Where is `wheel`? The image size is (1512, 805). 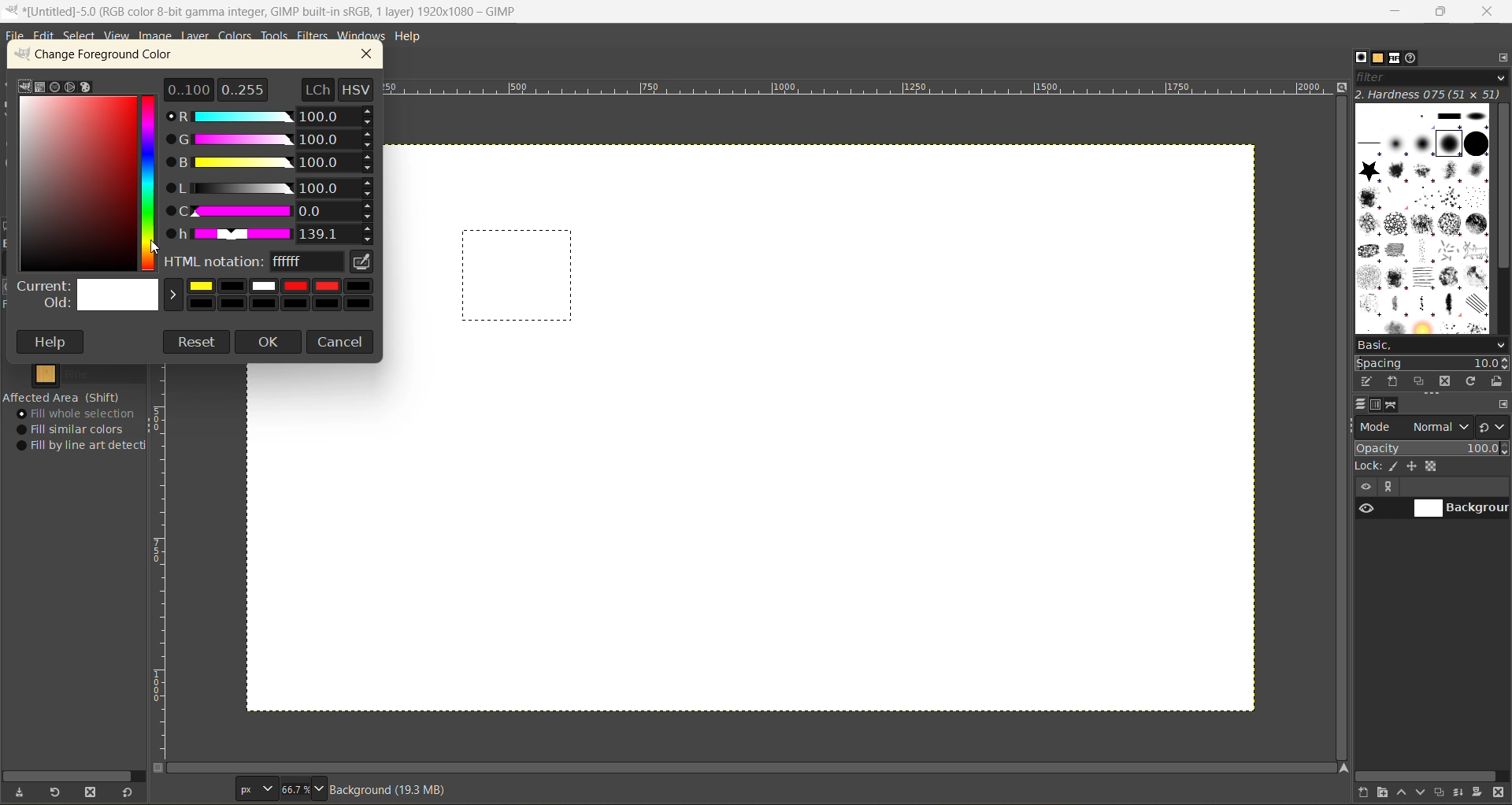 wheel is located at coordinates (69, 87).